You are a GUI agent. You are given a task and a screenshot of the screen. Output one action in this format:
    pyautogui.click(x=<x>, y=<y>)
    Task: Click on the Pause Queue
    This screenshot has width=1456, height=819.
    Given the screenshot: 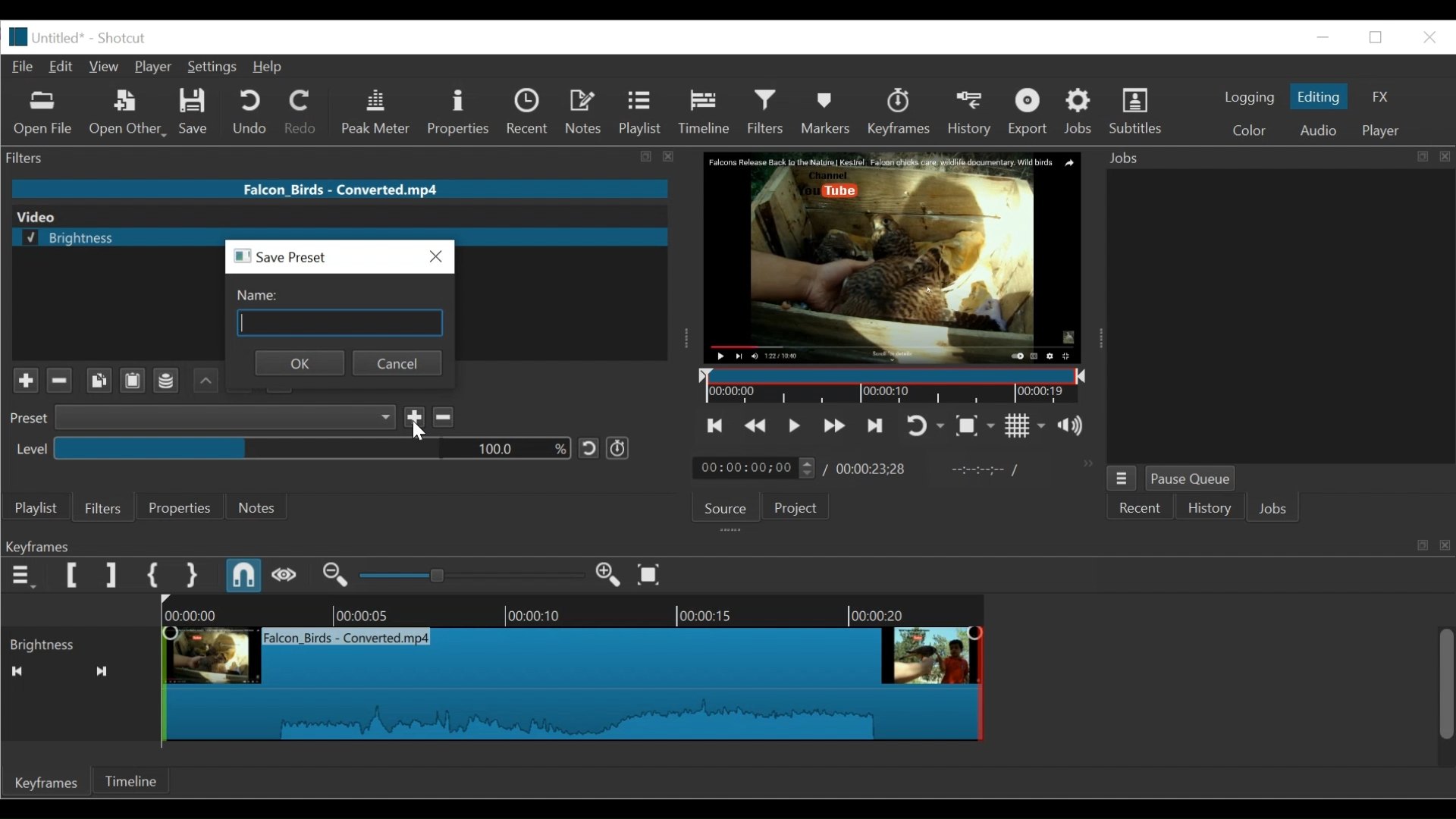 What is the action you would take?
    pyautogui.click(x=1190, y=479)
    